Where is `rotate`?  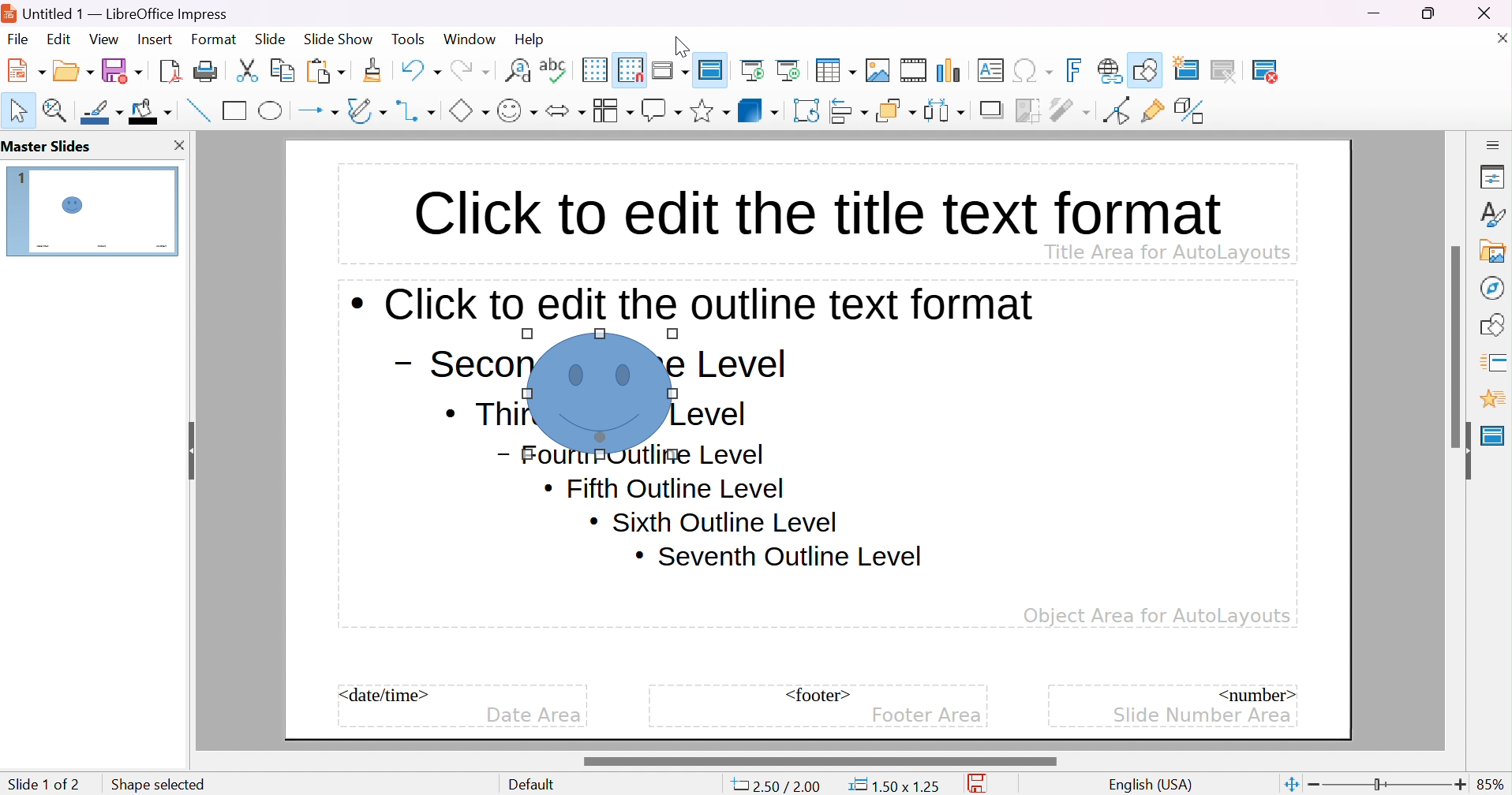
rotate is located at coordinates (808, 110).